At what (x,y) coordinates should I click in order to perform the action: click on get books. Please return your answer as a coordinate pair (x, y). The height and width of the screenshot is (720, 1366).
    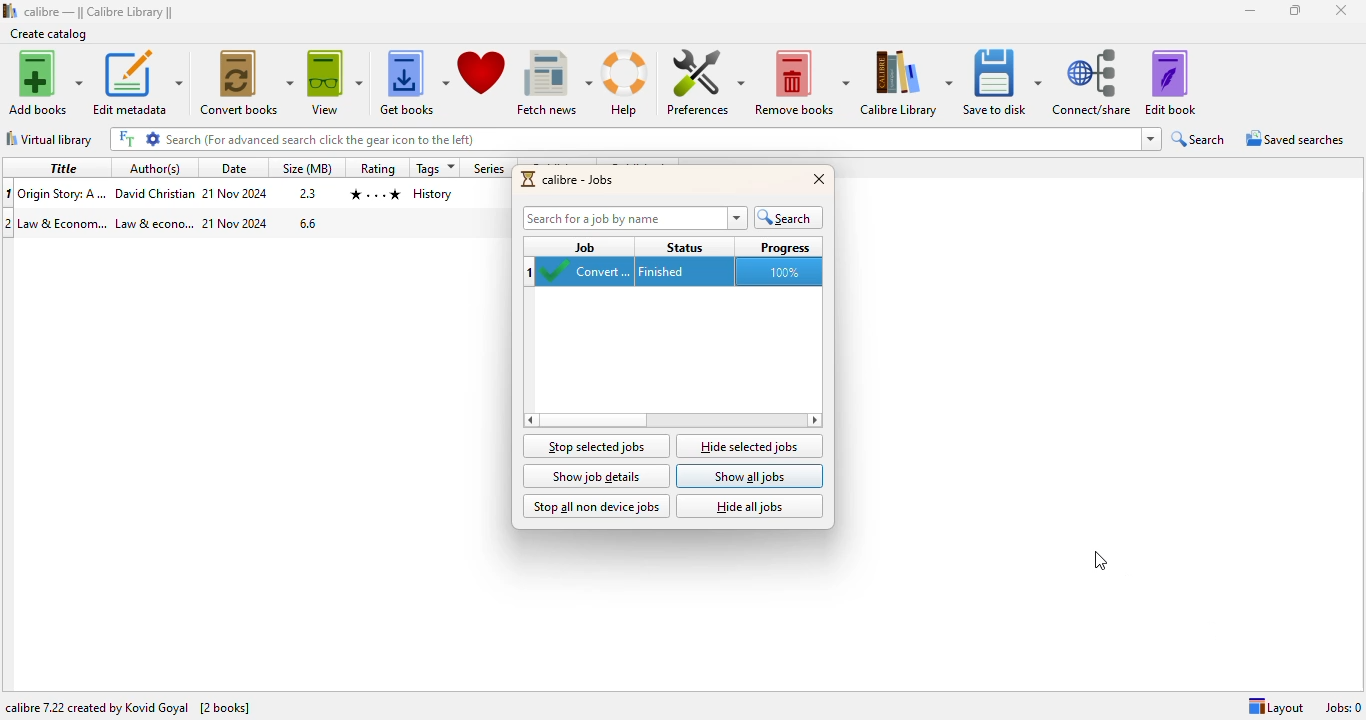
    Looking at the image, I should click on (412, 82).